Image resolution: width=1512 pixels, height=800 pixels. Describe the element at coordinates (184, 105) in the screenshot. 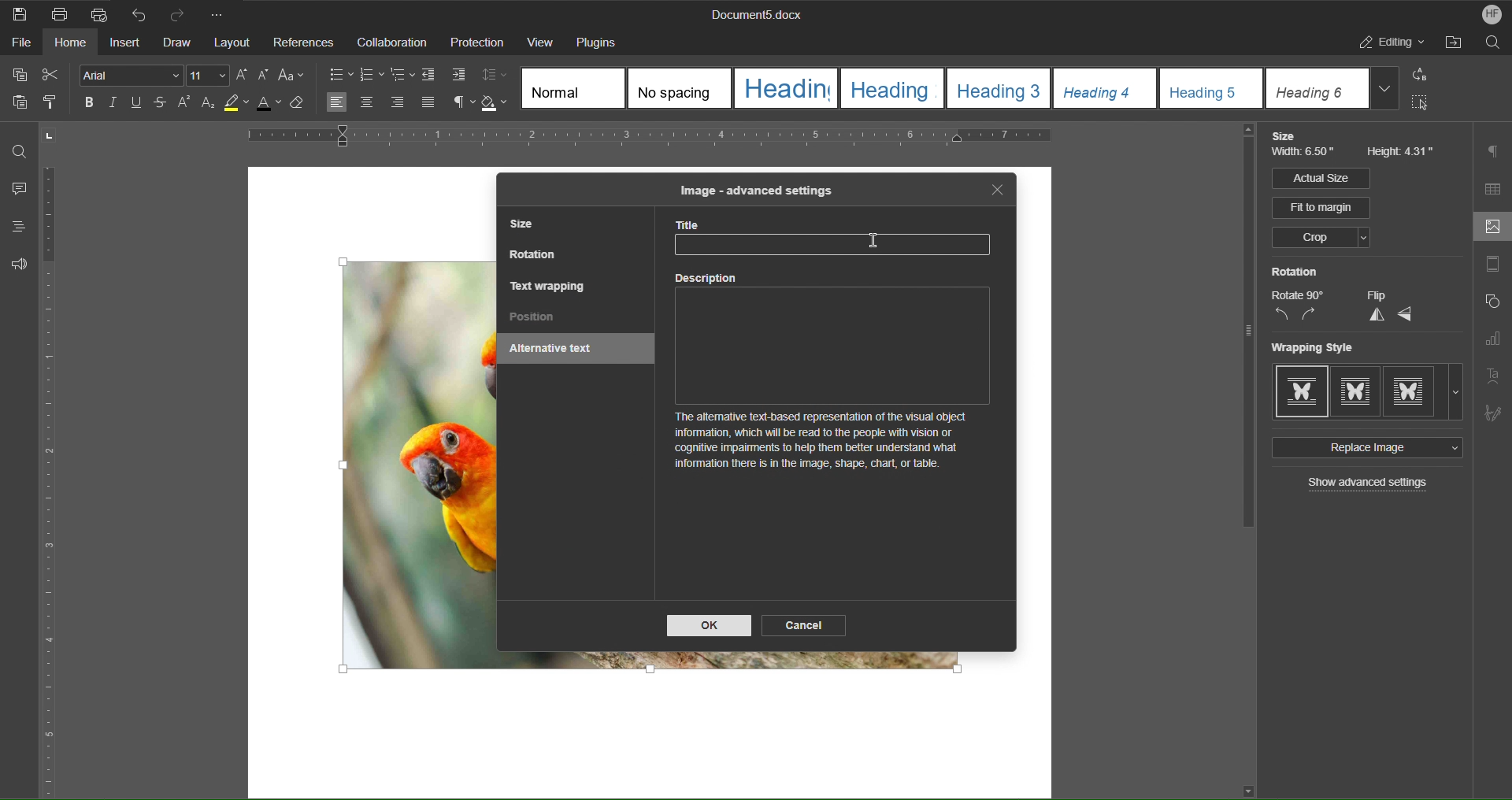

I see `Superscript` at that location.